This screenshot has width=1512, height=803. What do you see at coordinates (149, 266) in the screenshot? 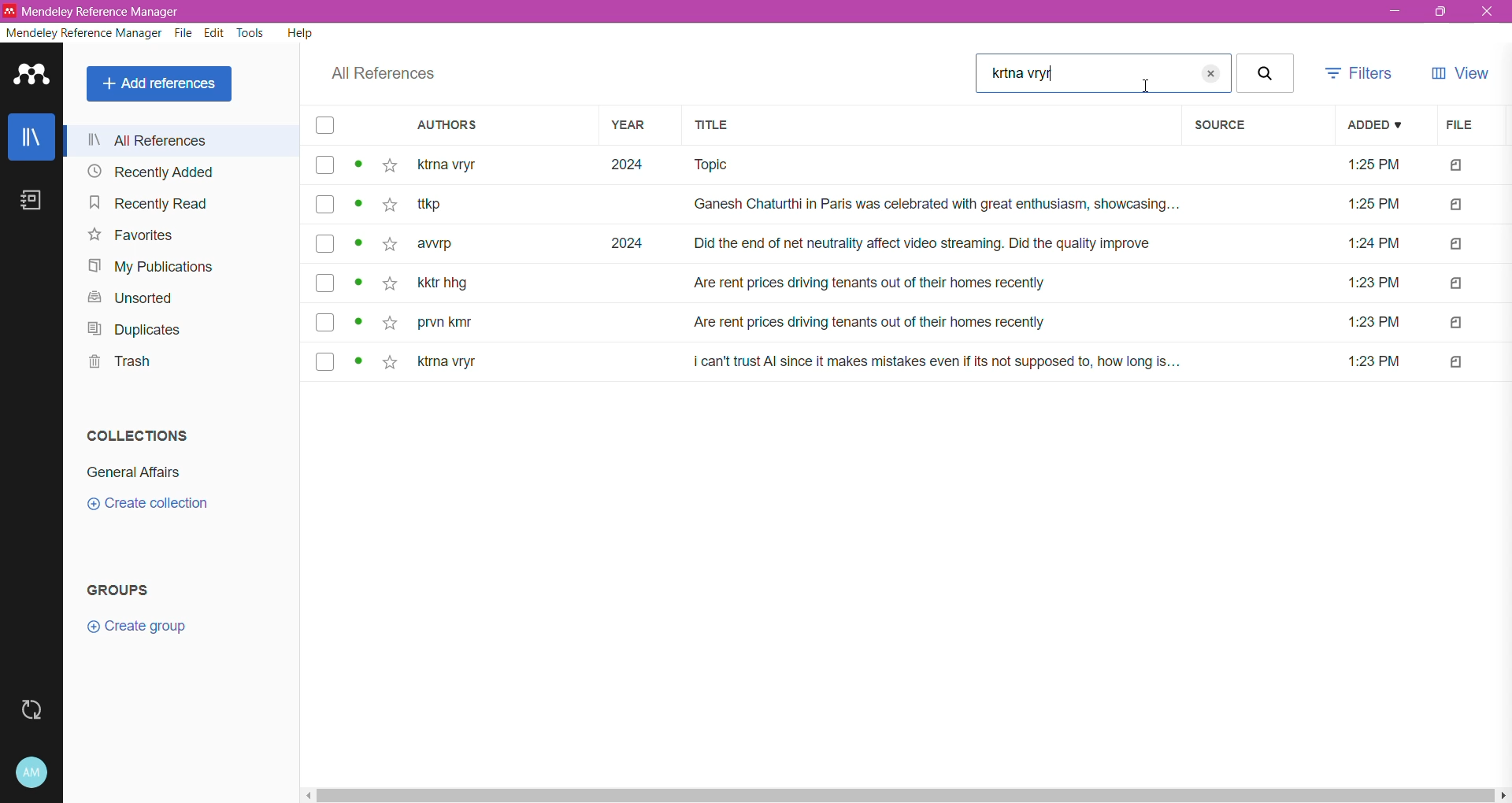
I see `My Publications` at bounding box center [149, 266].